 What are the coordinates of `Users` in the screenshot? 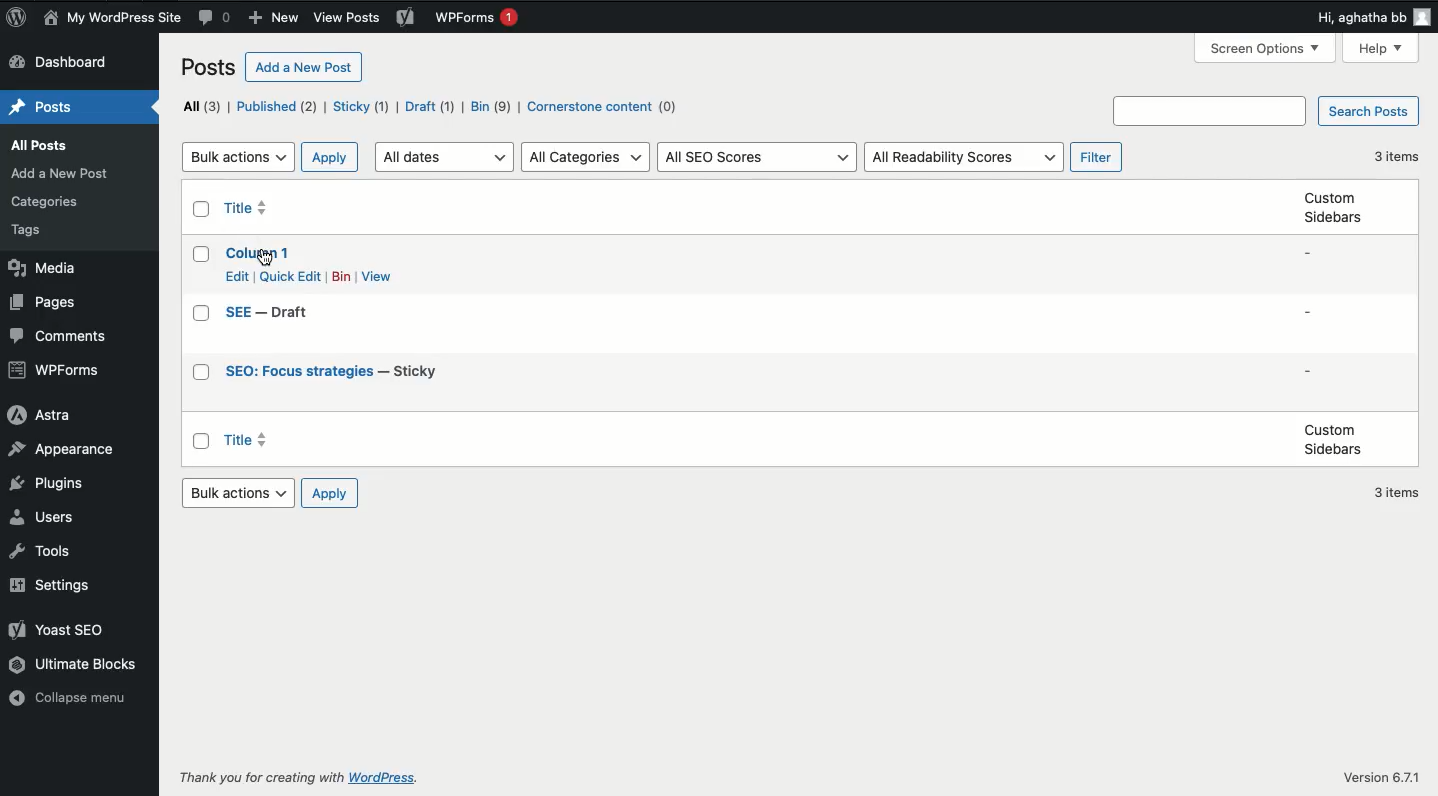 It's located at (40, 516).